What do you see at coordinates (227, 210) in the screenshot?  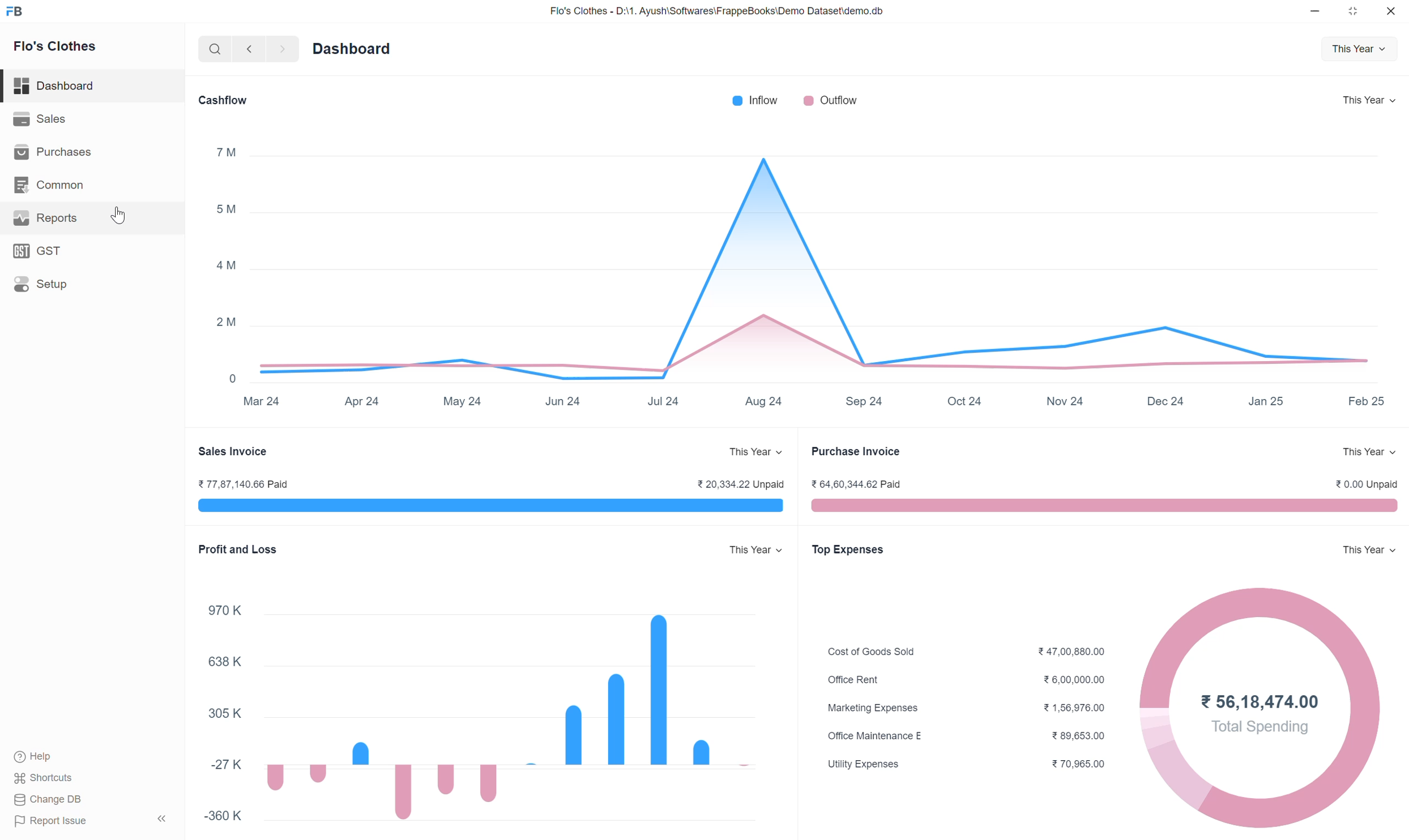 I see `5 m` at bounding box center [227, 210].